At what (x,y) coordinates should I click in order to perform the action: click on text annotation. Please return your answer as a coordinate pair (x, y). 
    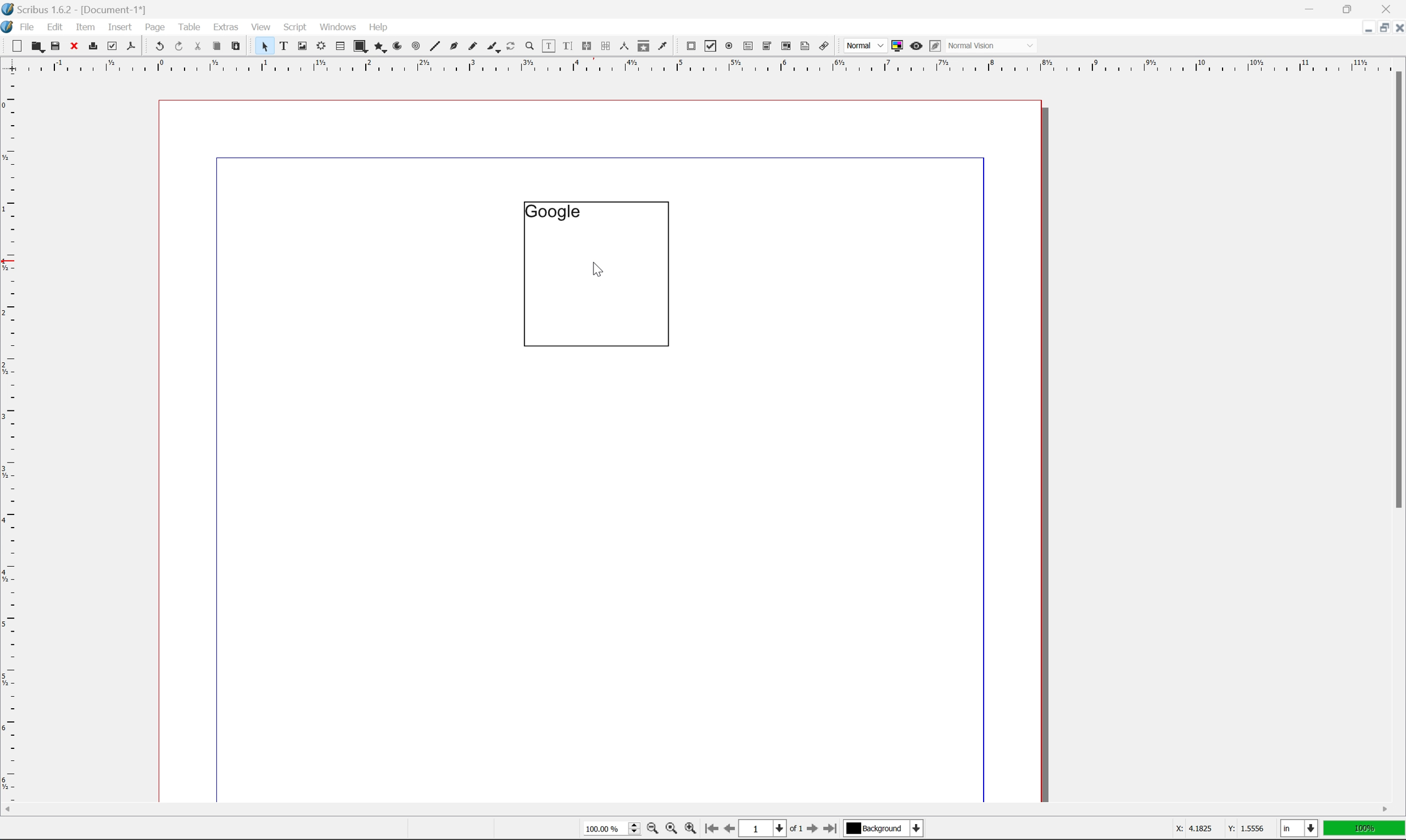
    Looking at the image, I should click on (805, 46).